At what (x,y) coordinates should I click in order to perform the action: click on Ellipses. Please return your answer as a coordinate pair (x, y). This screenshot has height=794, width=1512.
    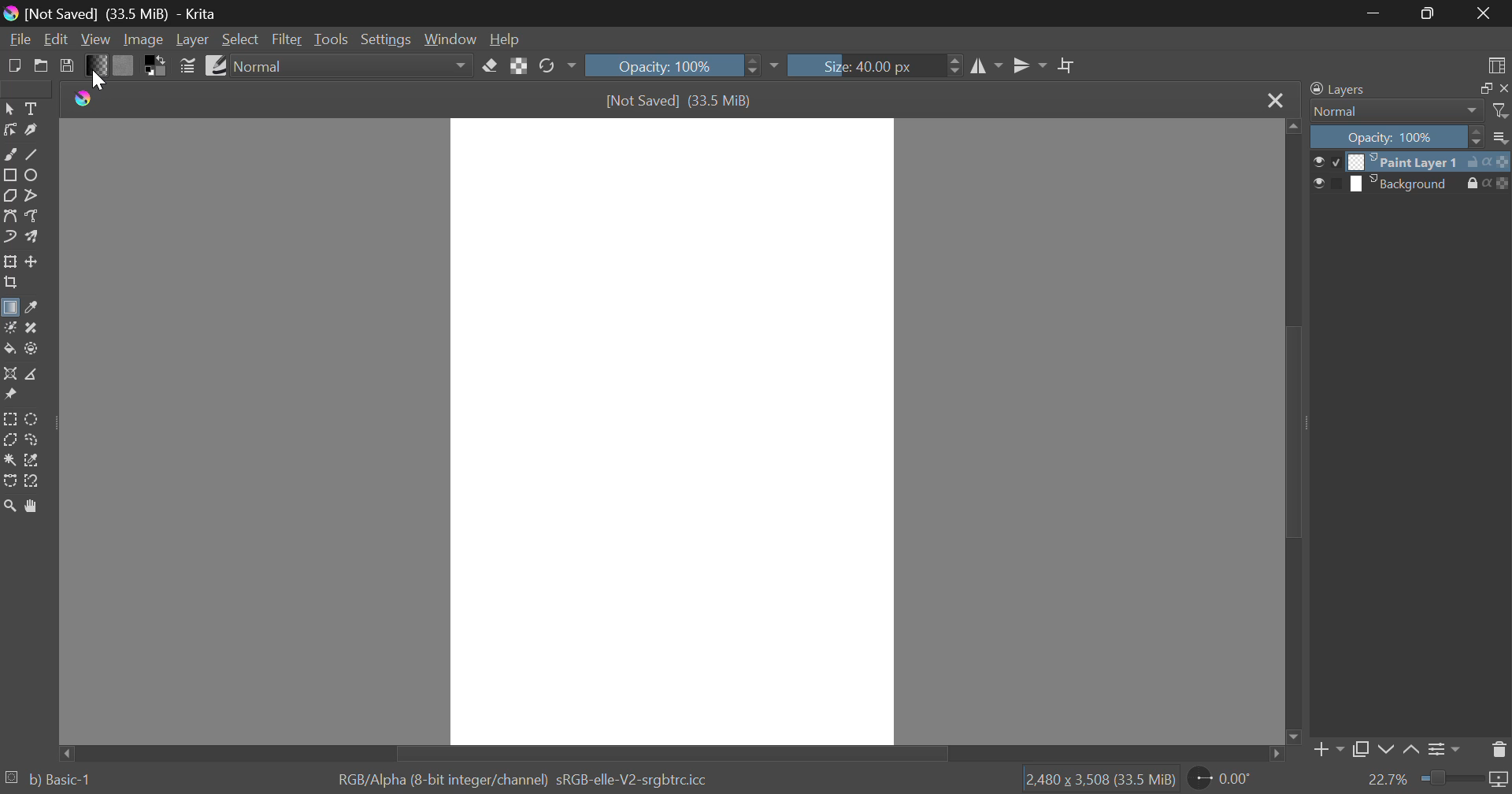
    Looking at the image, I should click on (32, 175).